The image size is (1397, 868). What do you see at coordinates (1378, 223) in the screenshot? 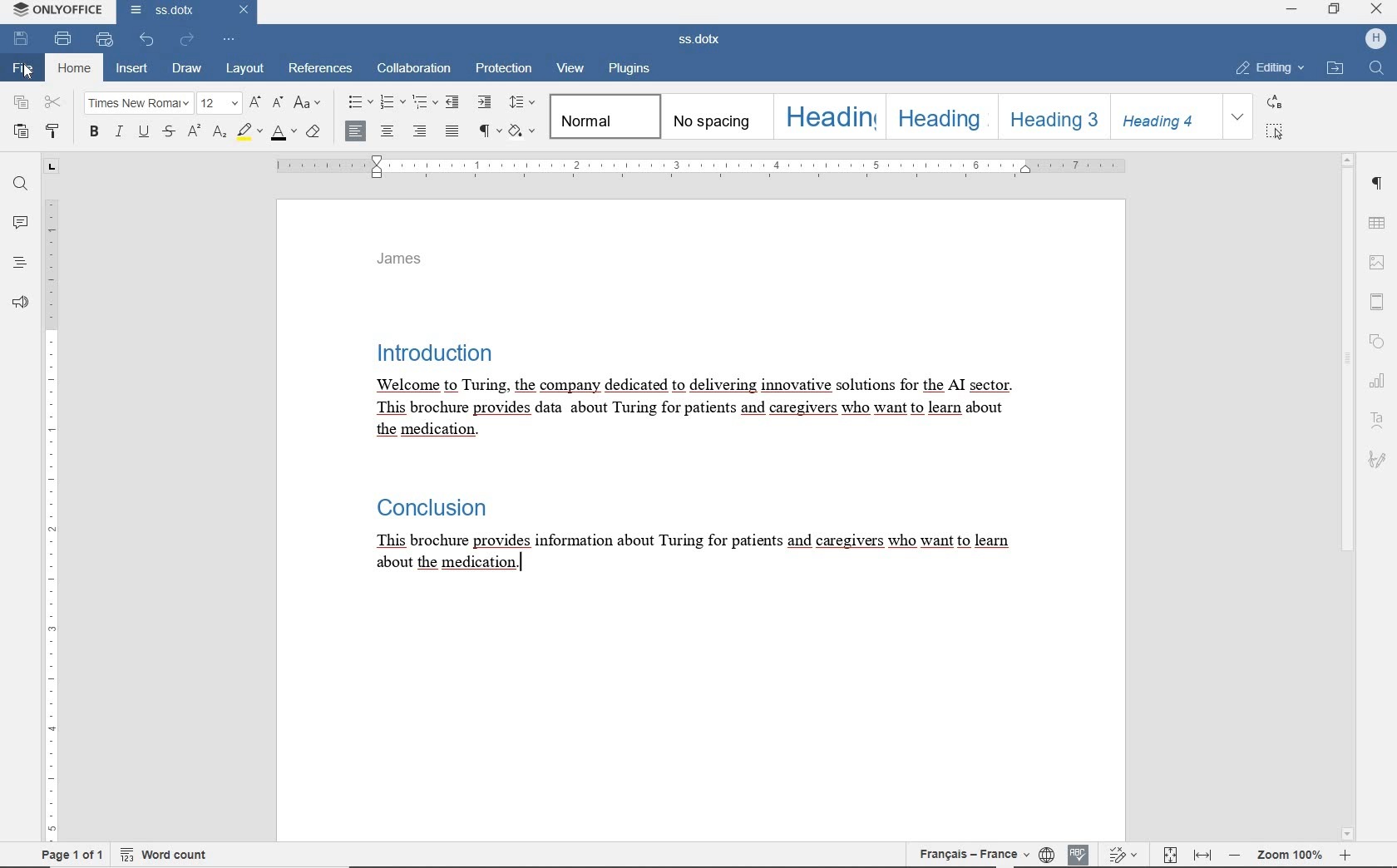
I see `TABLE` at bounding box center [1378, 223].